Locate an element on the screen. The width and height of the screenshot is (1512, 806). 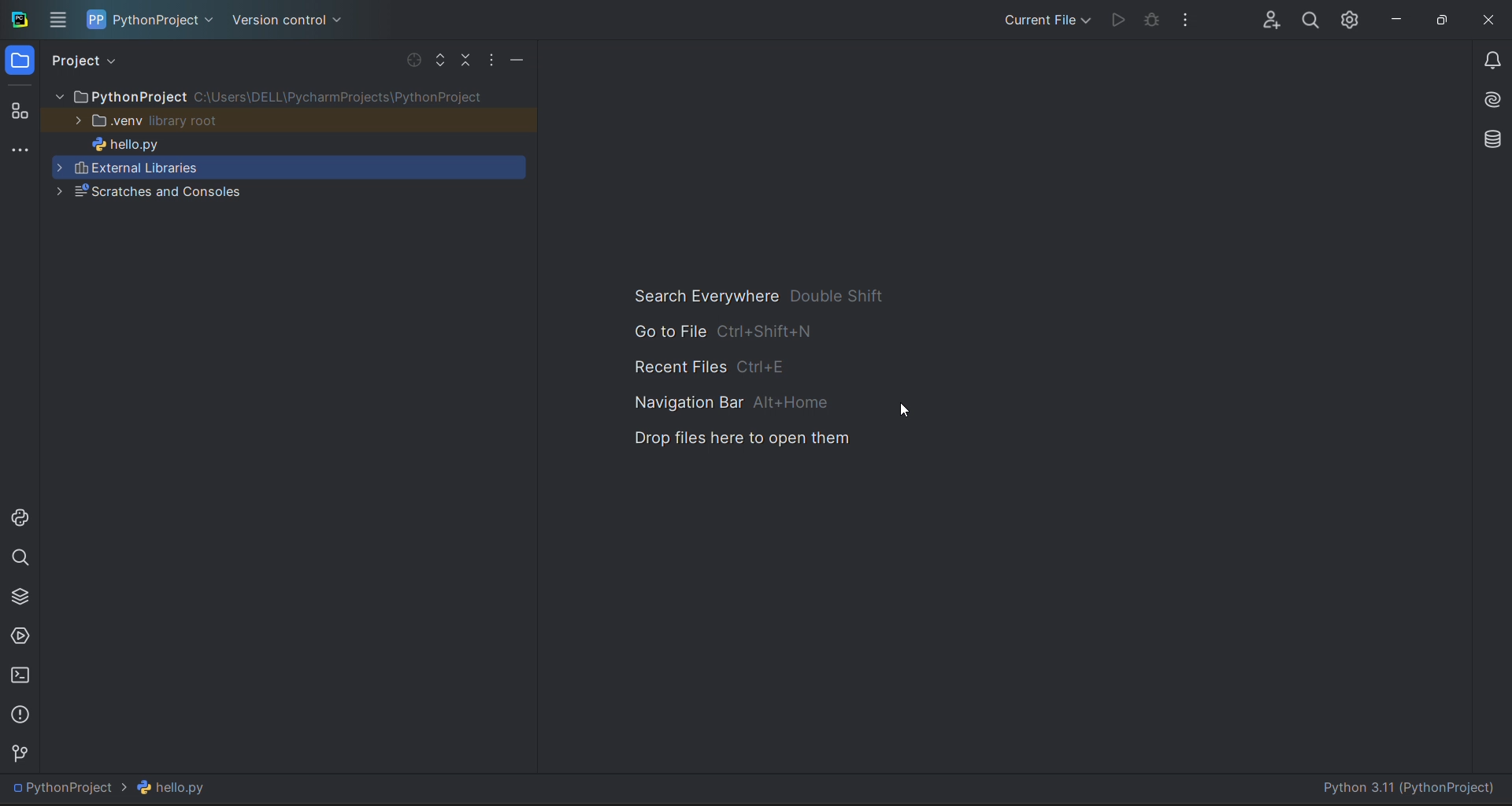
Scratches and consoles is located at coordinates (285, 192).